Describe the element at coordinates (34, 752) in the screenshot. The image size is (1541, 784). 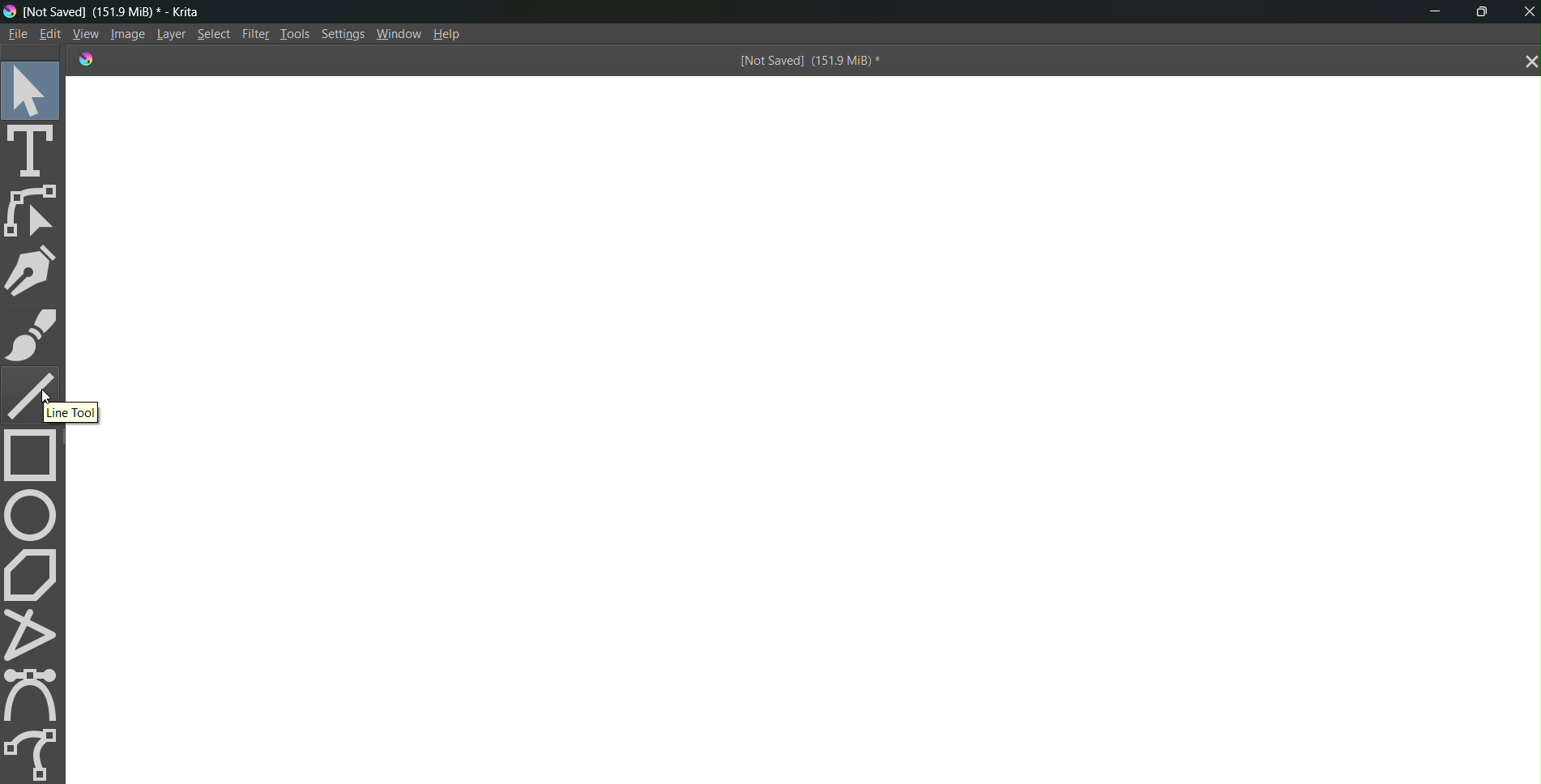
I see `freehand` at that location.